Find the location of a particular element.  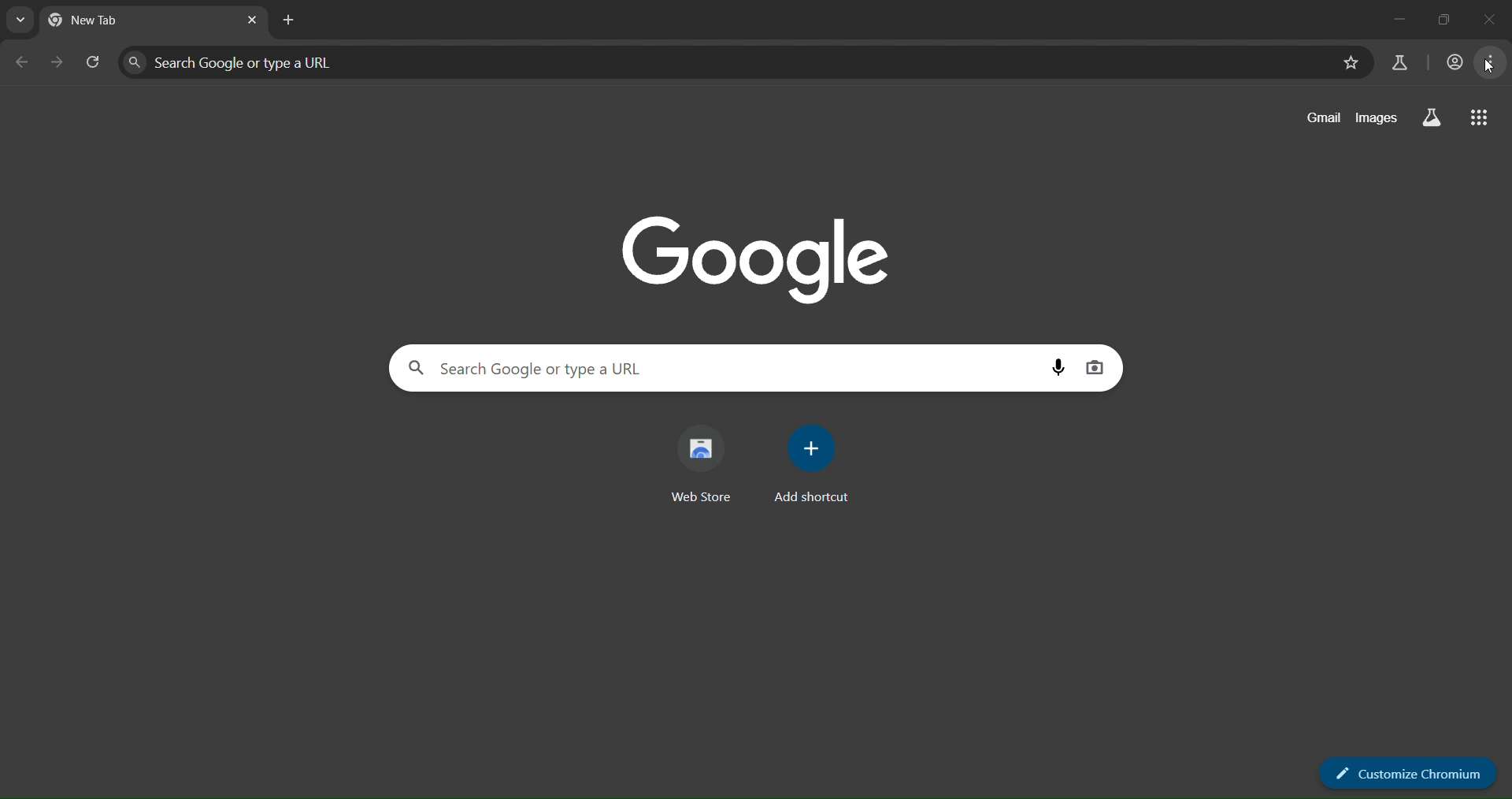

reload page is located at coordinates (93, 61).